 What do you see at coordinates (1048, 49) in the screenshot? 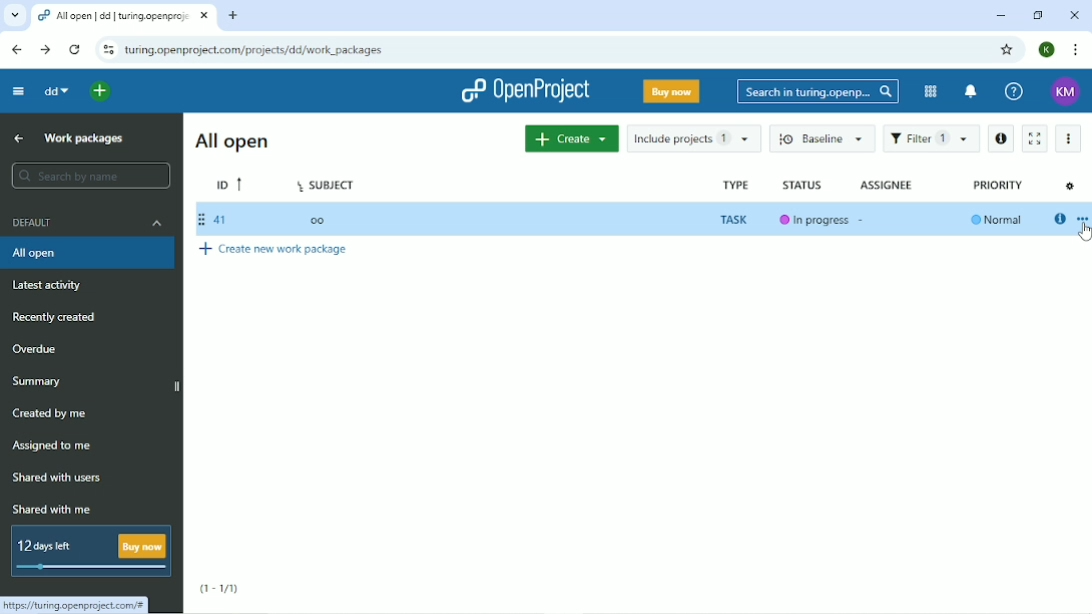
I see `K` at bounding box center [1048, 49].